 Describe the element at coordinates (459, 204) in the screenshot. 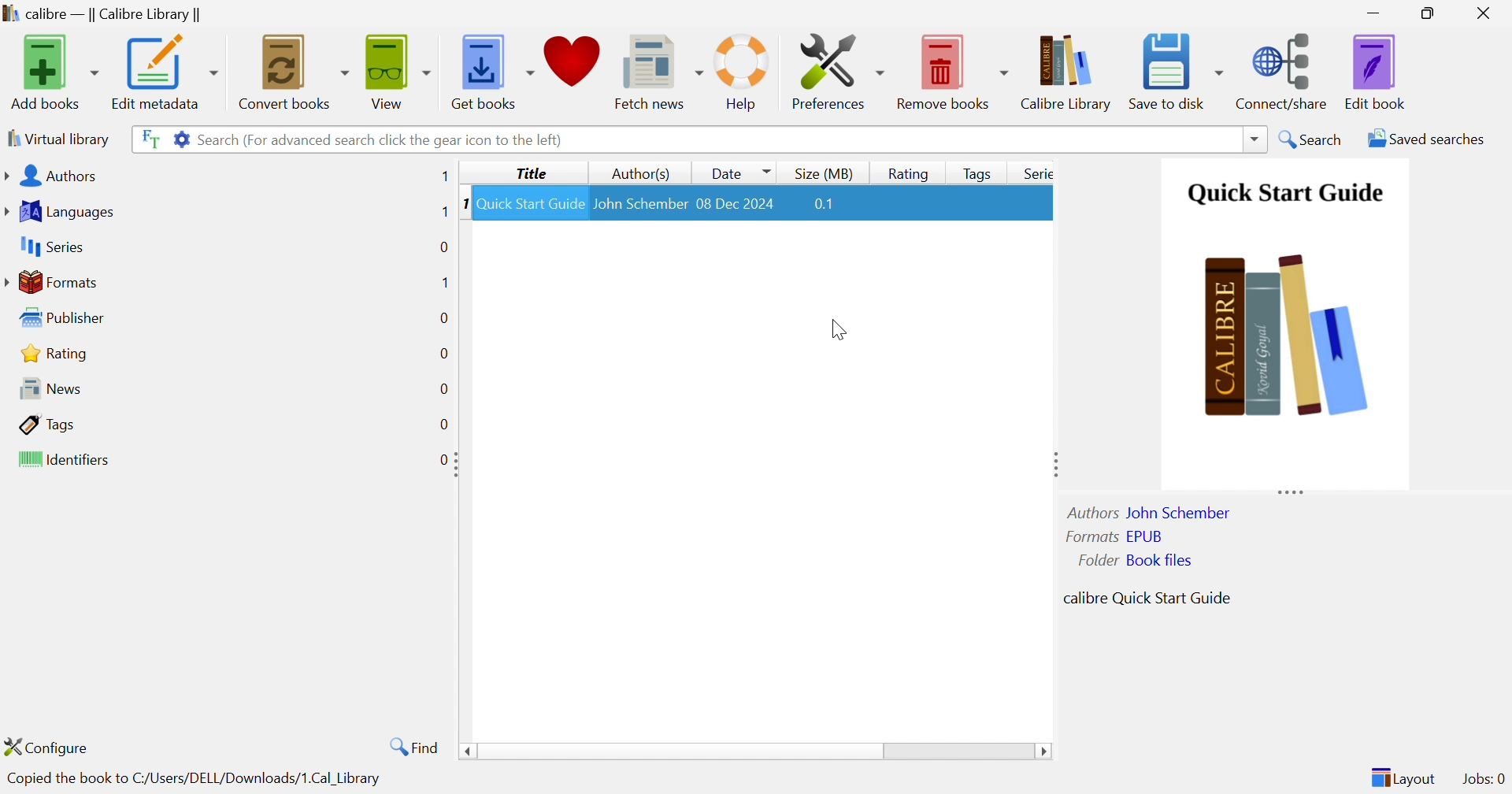

I see `1` at that location.